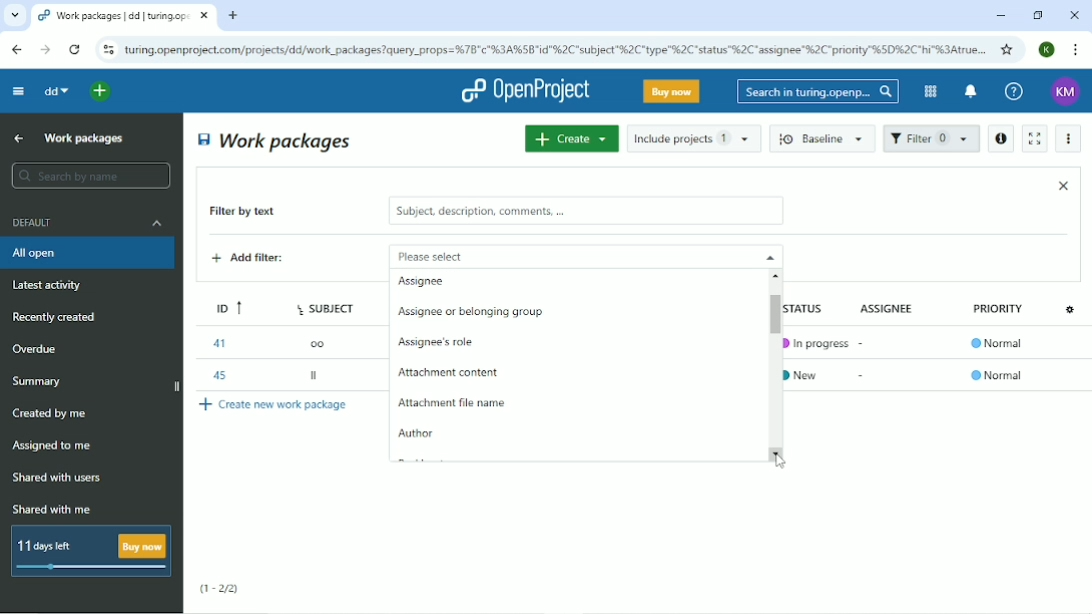  Describe the element at coordinates (1070, 139) in the screenshot. I see `More actions` at that location.